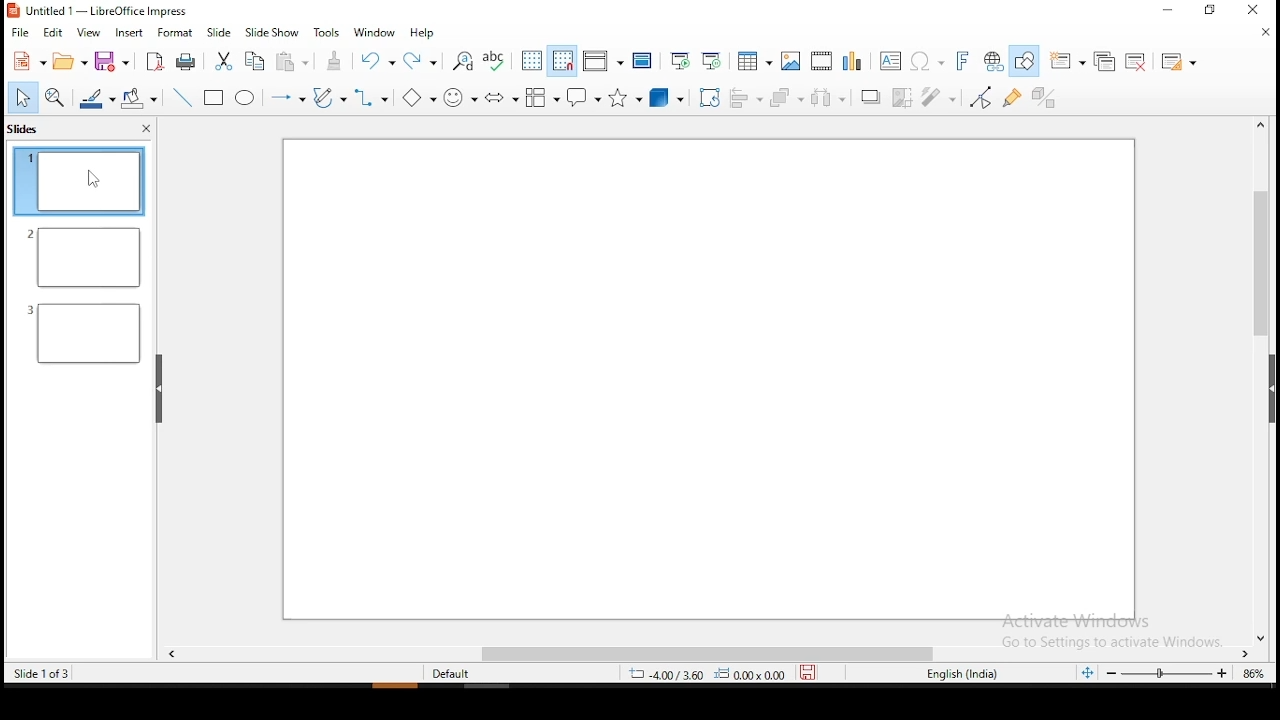  I want to click on ellipse, so click(247, 100).